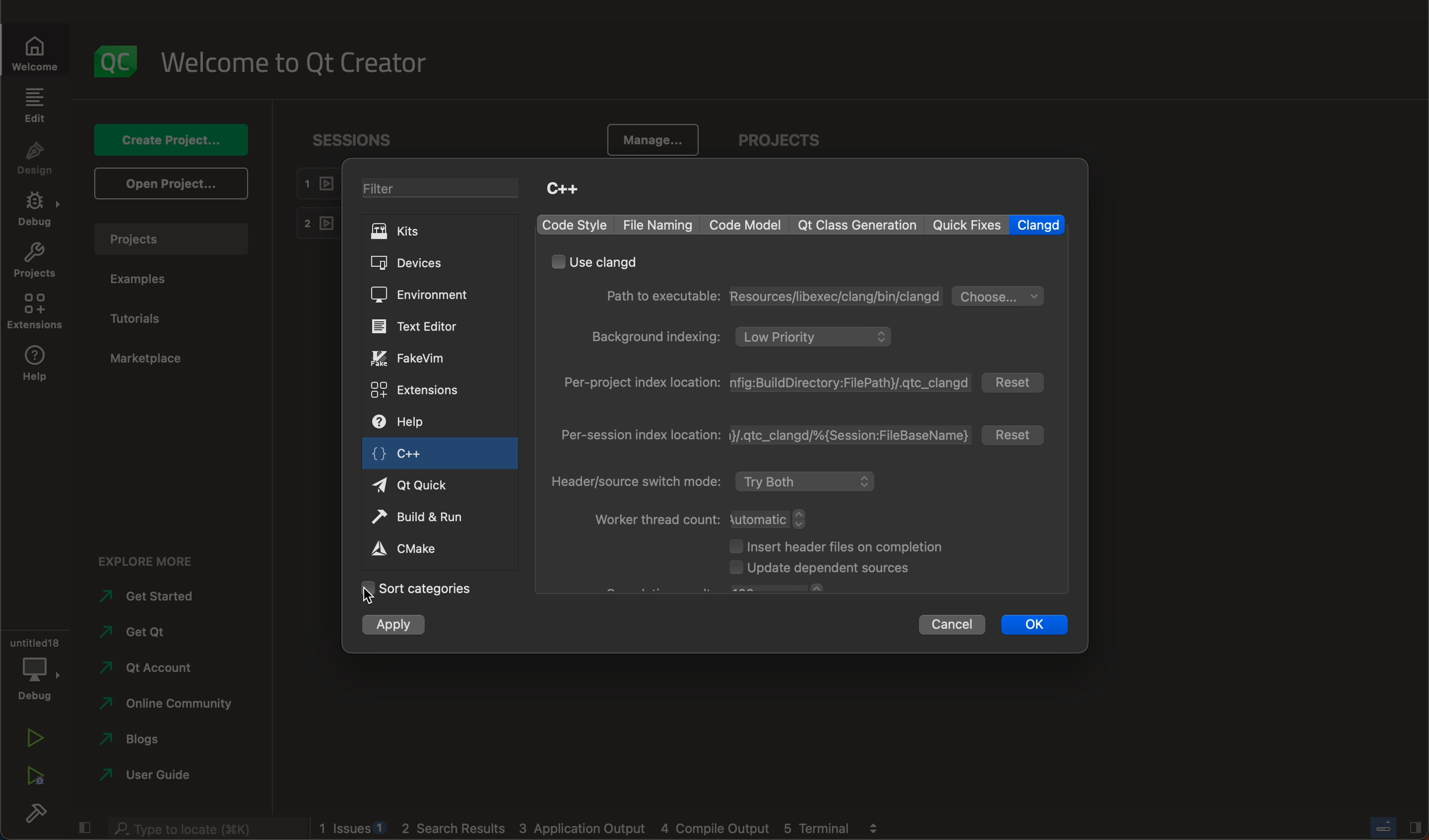 This screenshot has height=840, width=1429. I want to click on Qt , so click(425, 485).